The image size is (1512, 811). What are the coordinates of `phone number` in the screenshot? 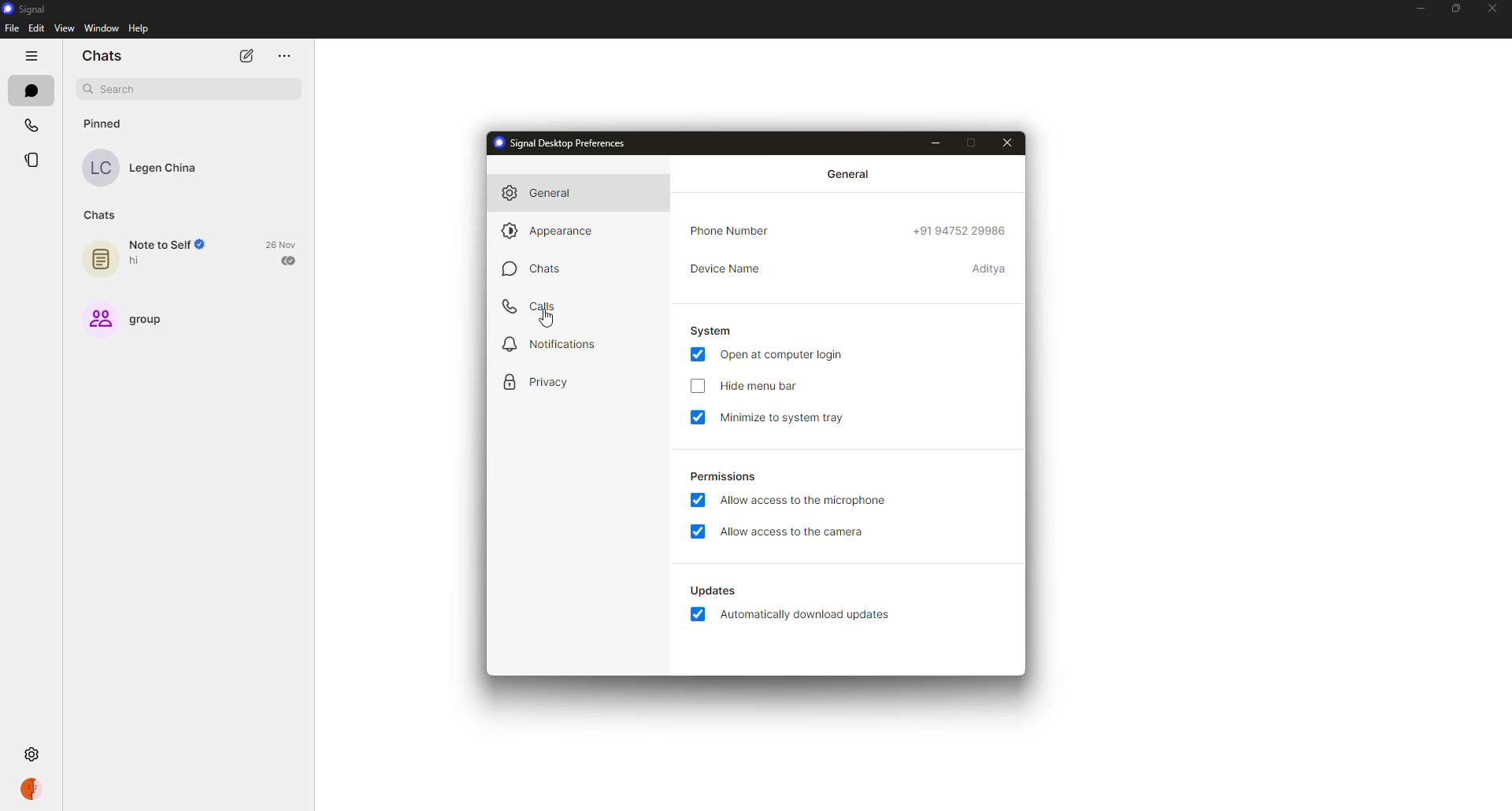 It's located at (731, 231).